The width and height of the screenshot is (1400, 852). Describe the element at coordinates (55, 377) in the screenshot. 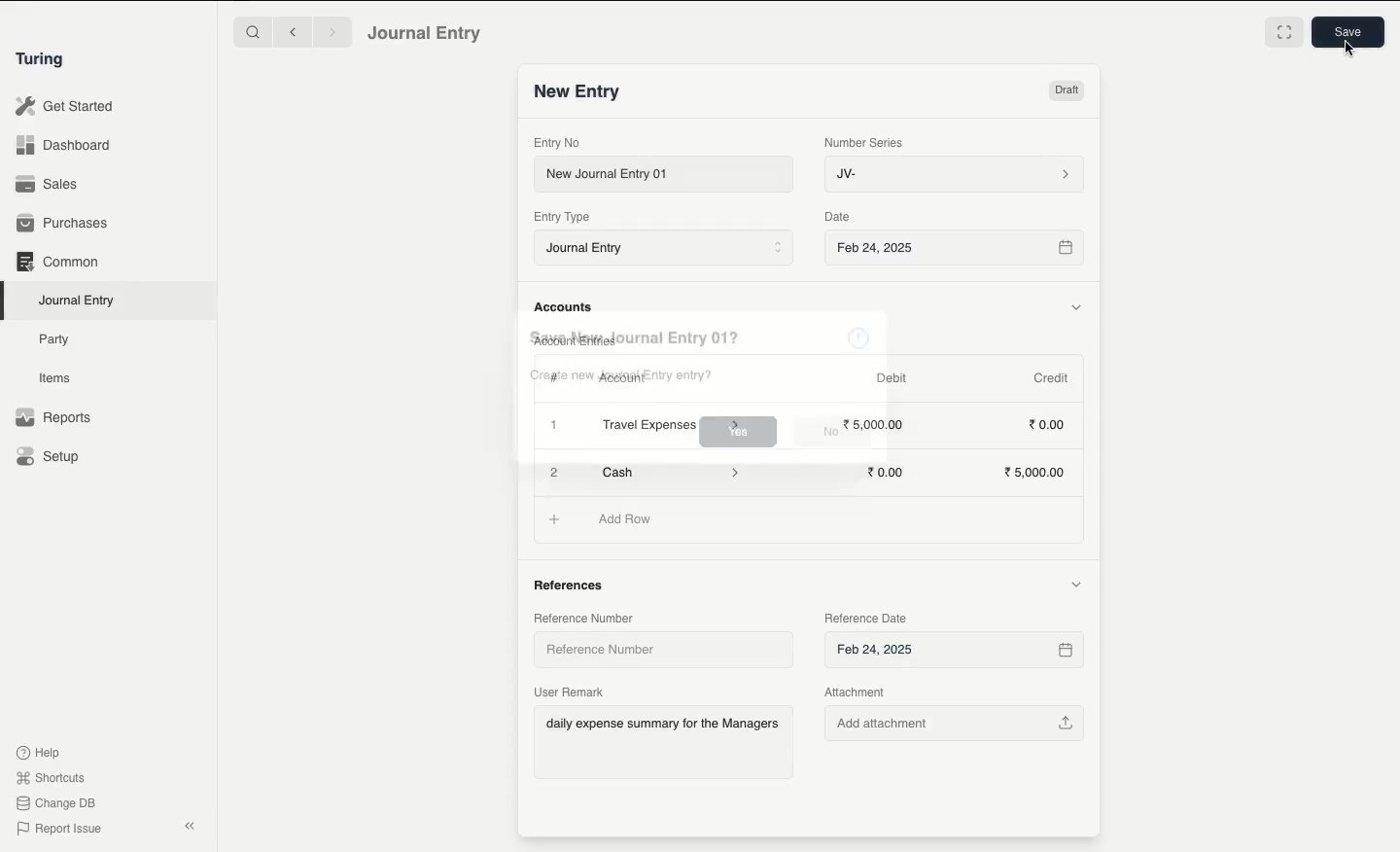

I see `Items` at that location.